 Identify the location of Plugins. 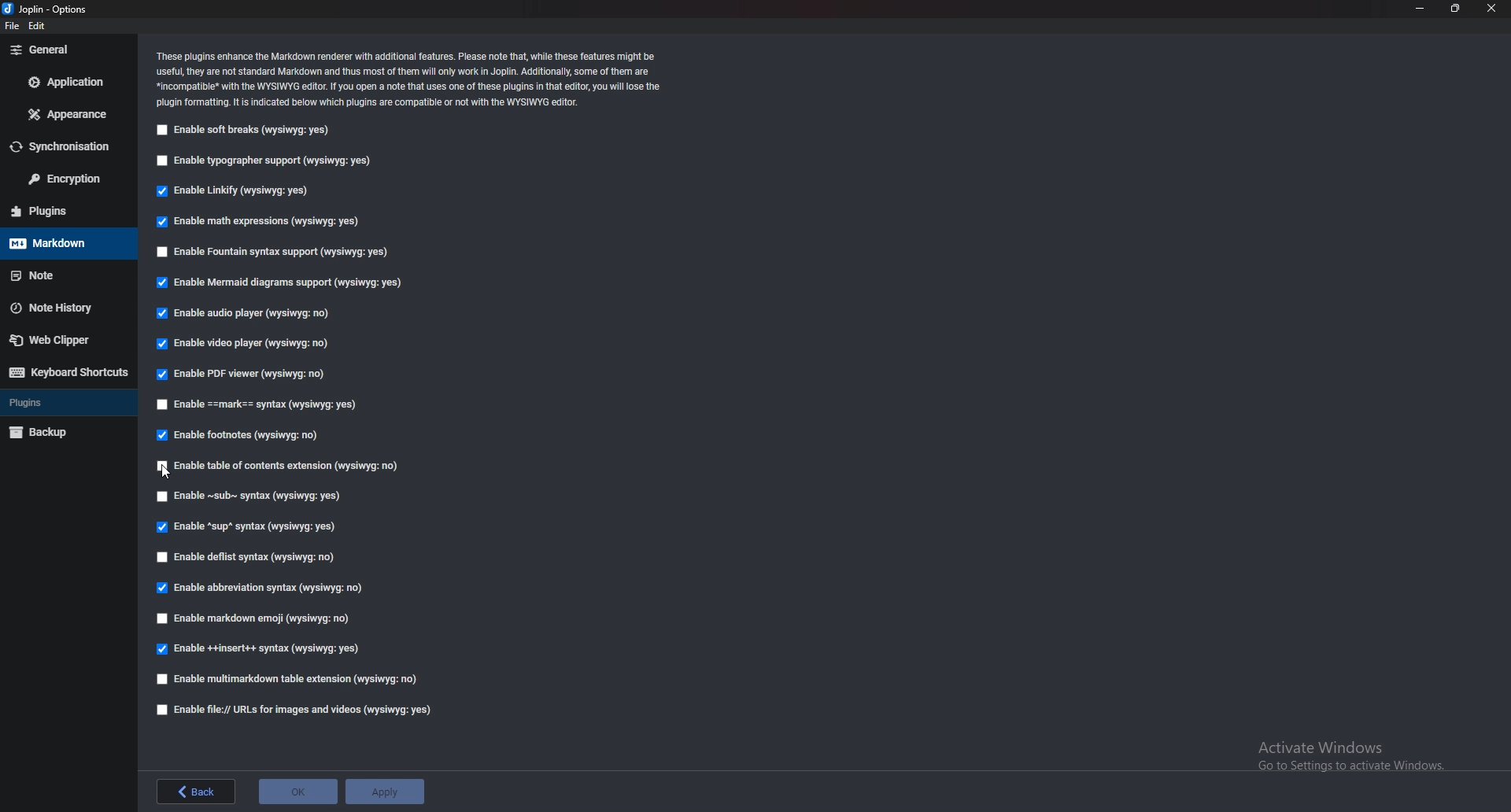
(63, 212).